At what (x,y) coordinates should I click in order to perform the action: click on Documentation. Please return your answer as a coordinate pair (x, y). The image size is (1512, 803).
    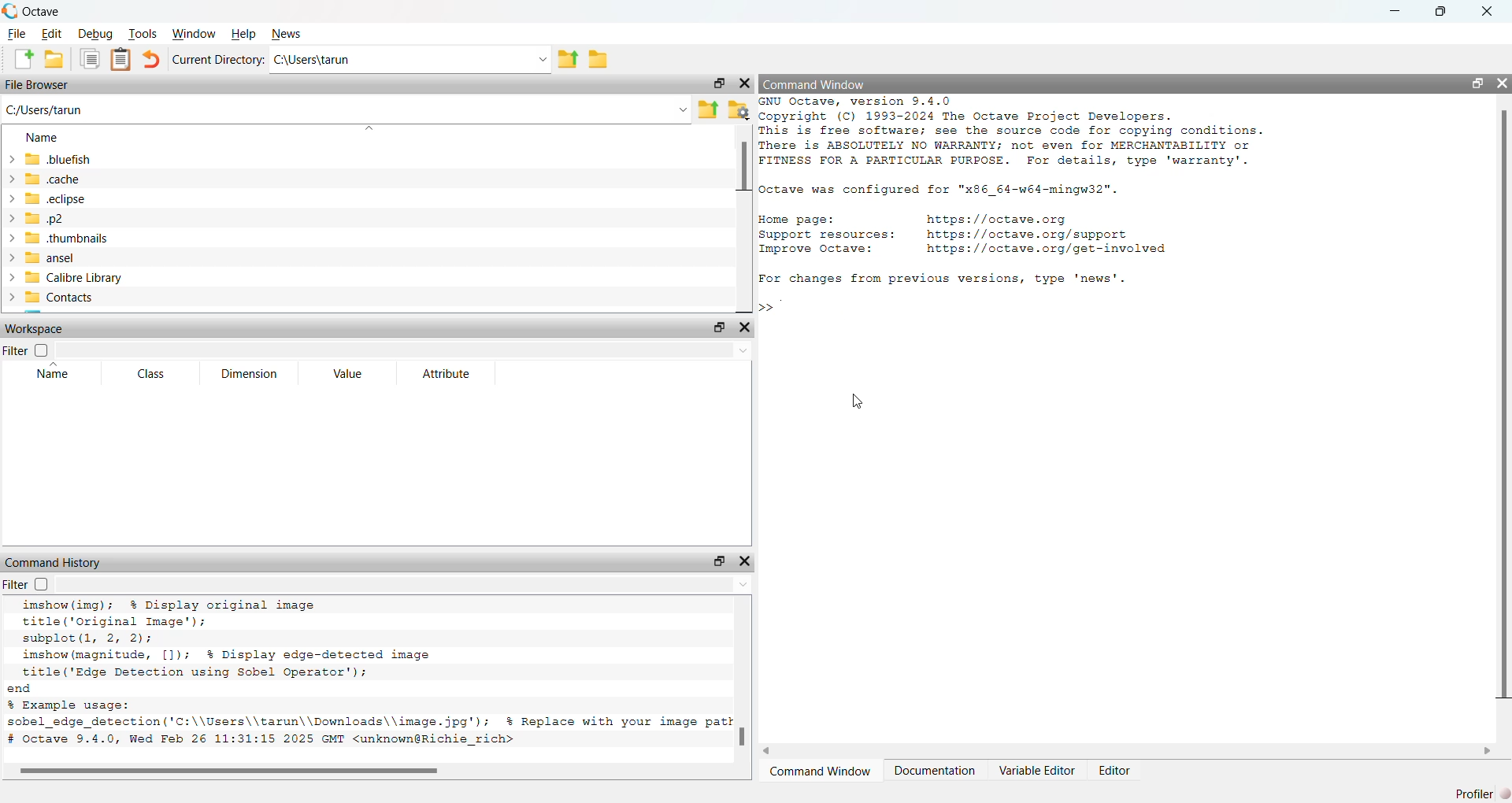
    Looking at the image, I should click on (938, 773).